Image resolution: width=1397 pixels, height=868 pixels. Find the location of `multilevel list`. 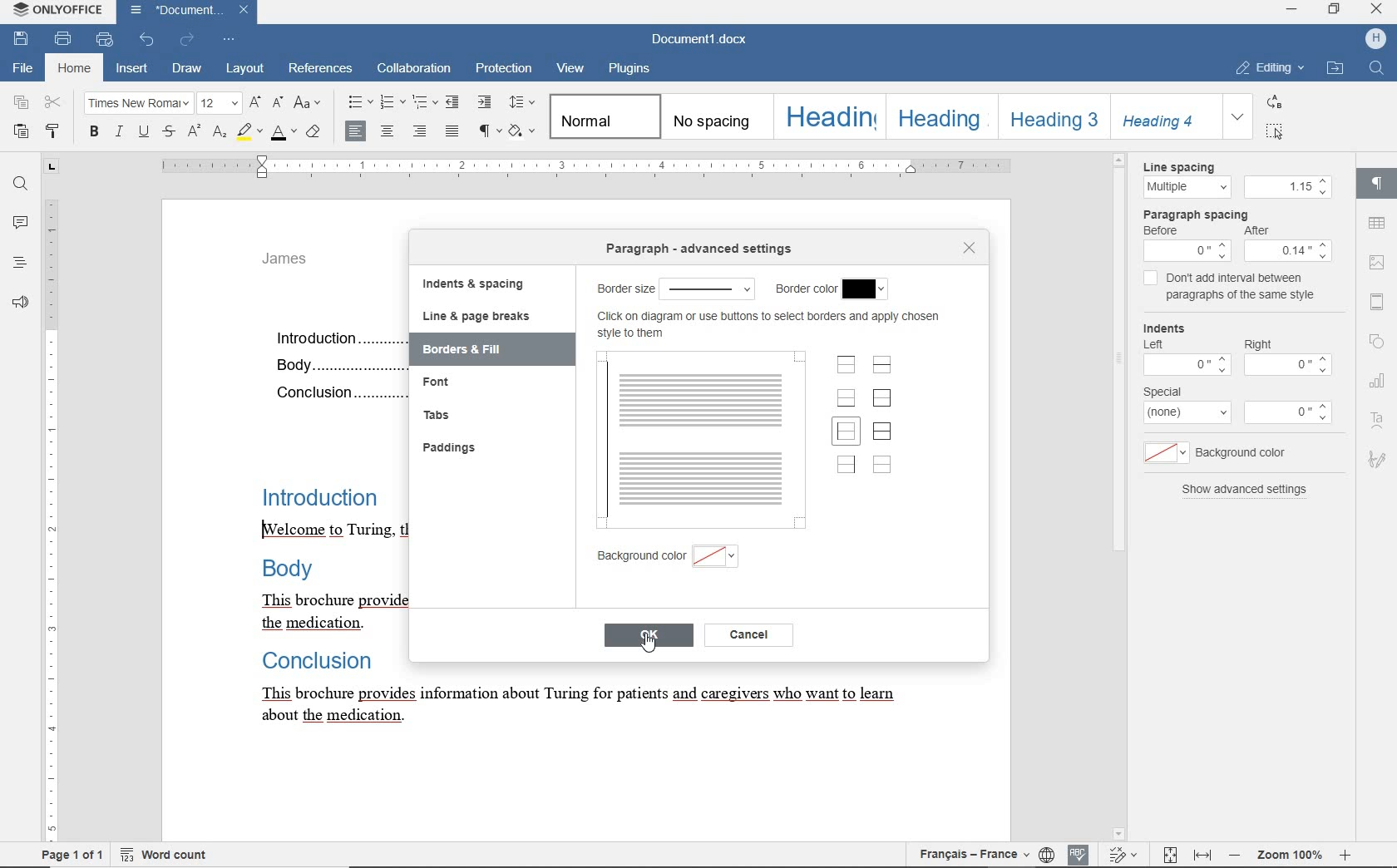

multilevel list is located at coordinates (427, 102).